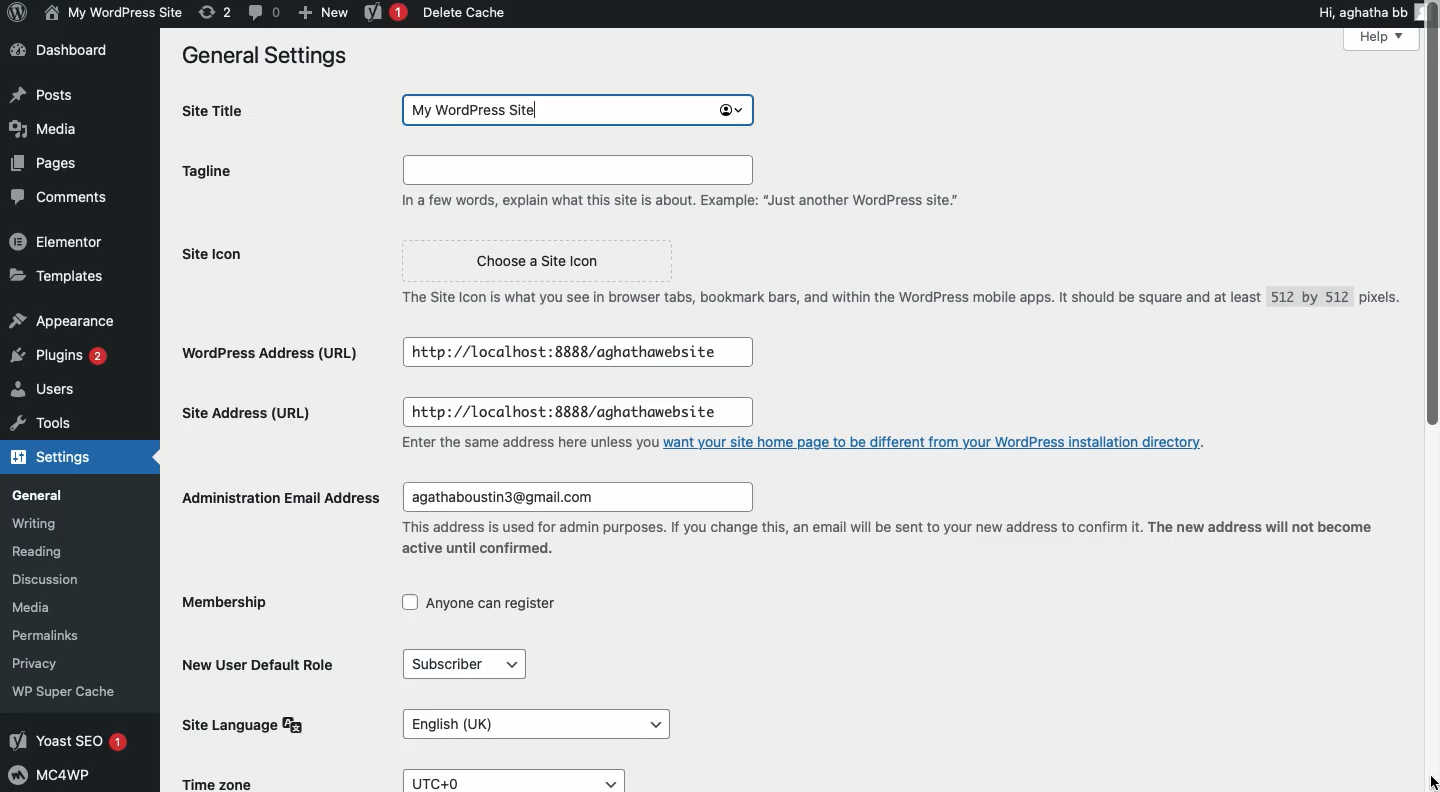 The image size is (1440, 792). I want to click on Enter the same address here unless you, so click(531, 445).